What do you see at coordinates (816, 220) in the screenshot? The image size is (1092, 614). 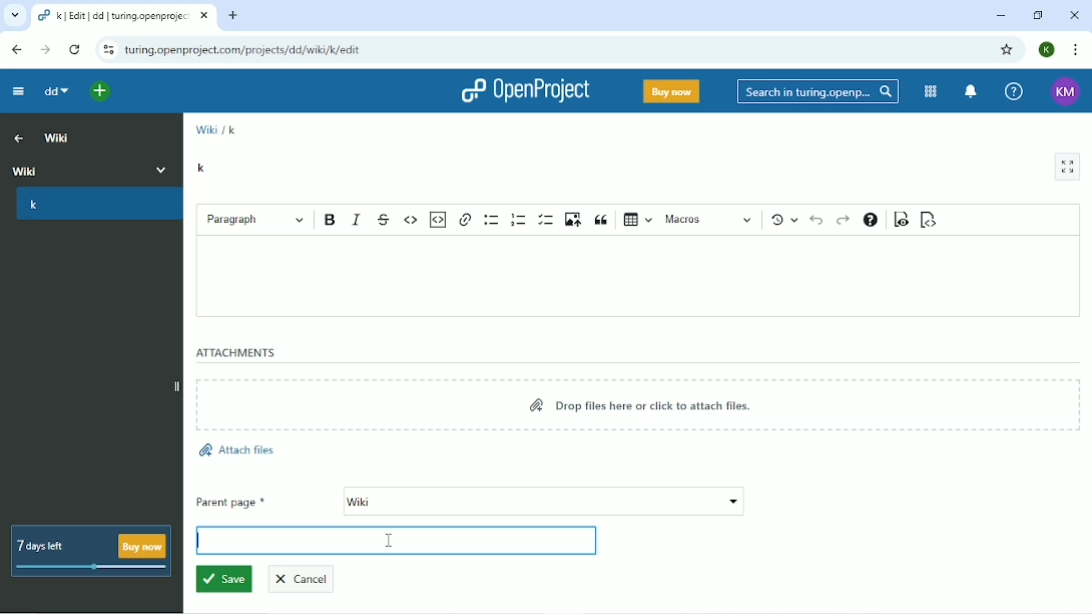 I see `Undo` at bounding box center [816, 220].